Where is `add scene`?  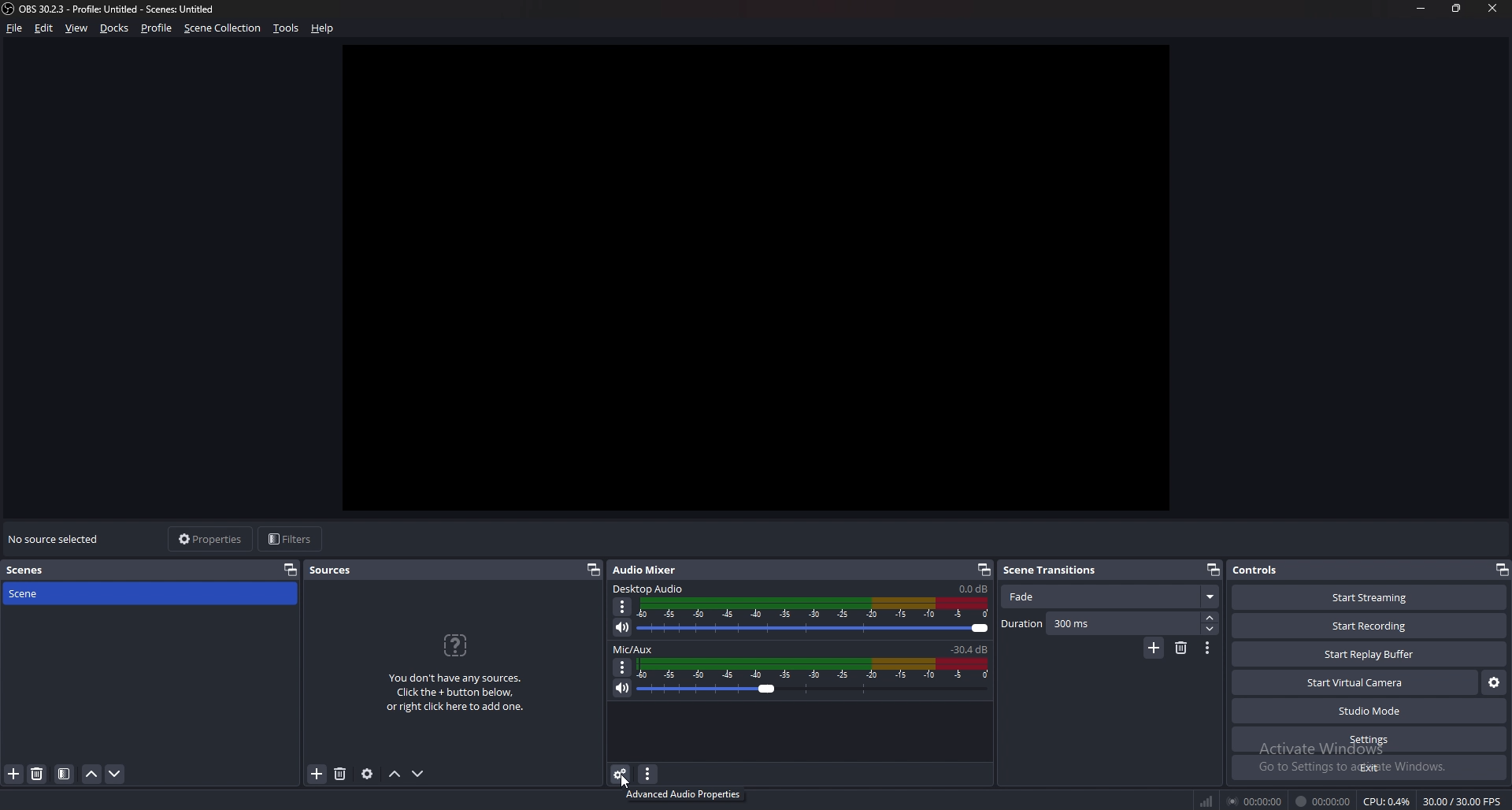
add scene is located at coordinates (1154, 648).